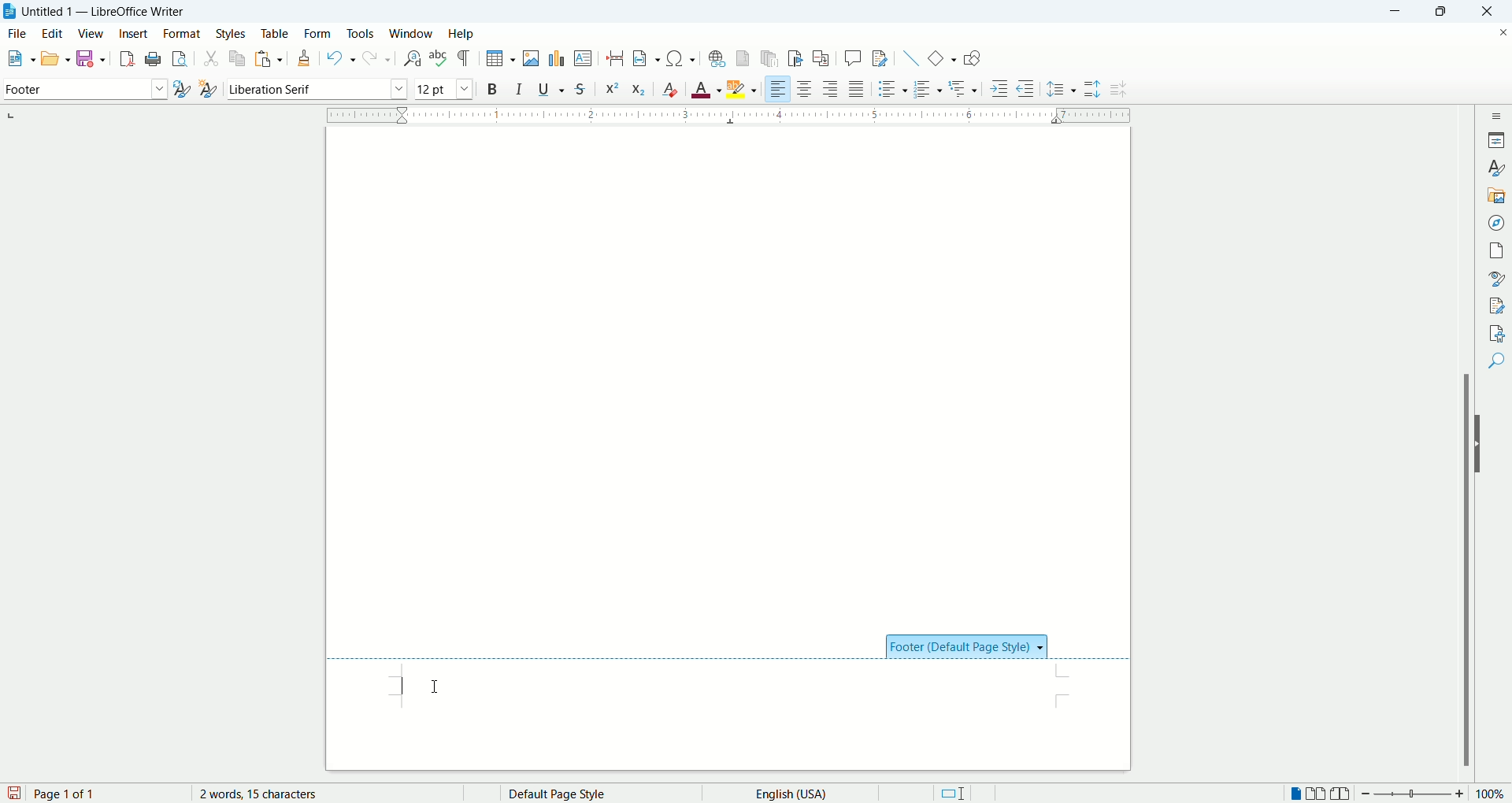 Image resolution: width=1512 pixels, height=803 pixels. Describe the element at coordinates (14, 792) in the screenshot. I see `save` at that location.